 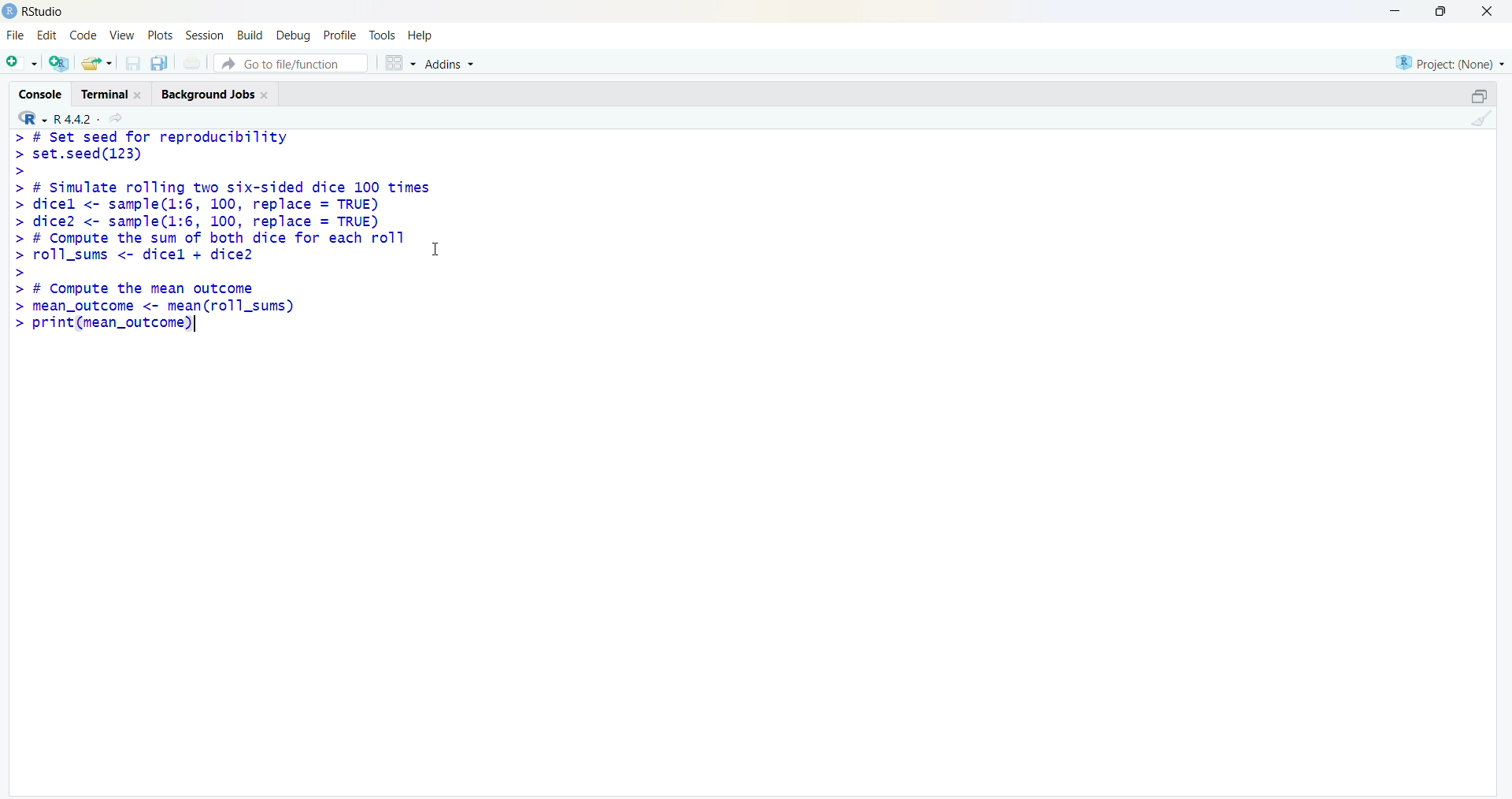 What do you see at coordinates (77, 120) in the screenshot?
I see `R 4.4.2` at bounding box center [77, 120].